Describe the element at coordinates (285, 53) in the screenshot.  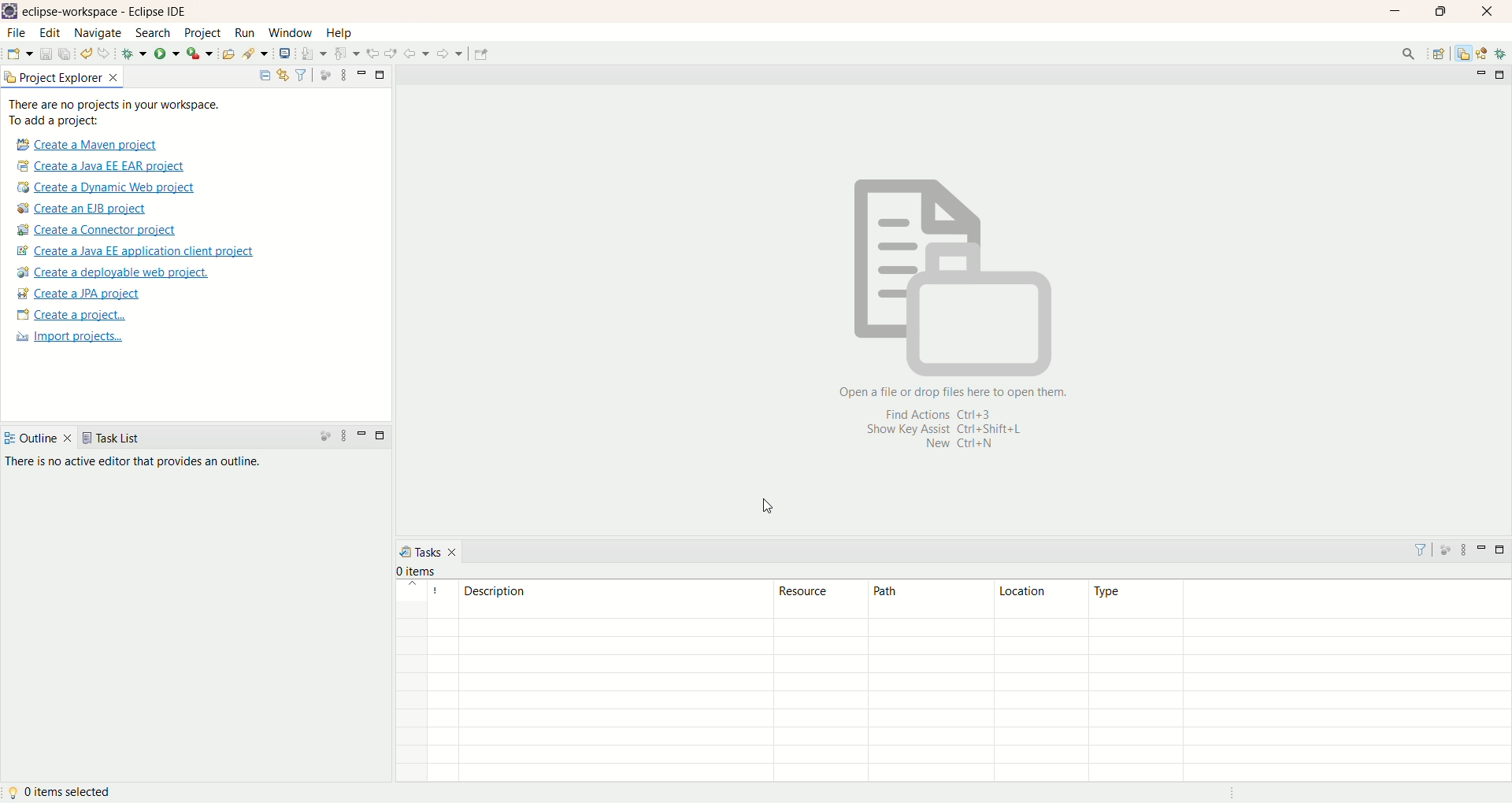
I see `open a terminal` at that location.